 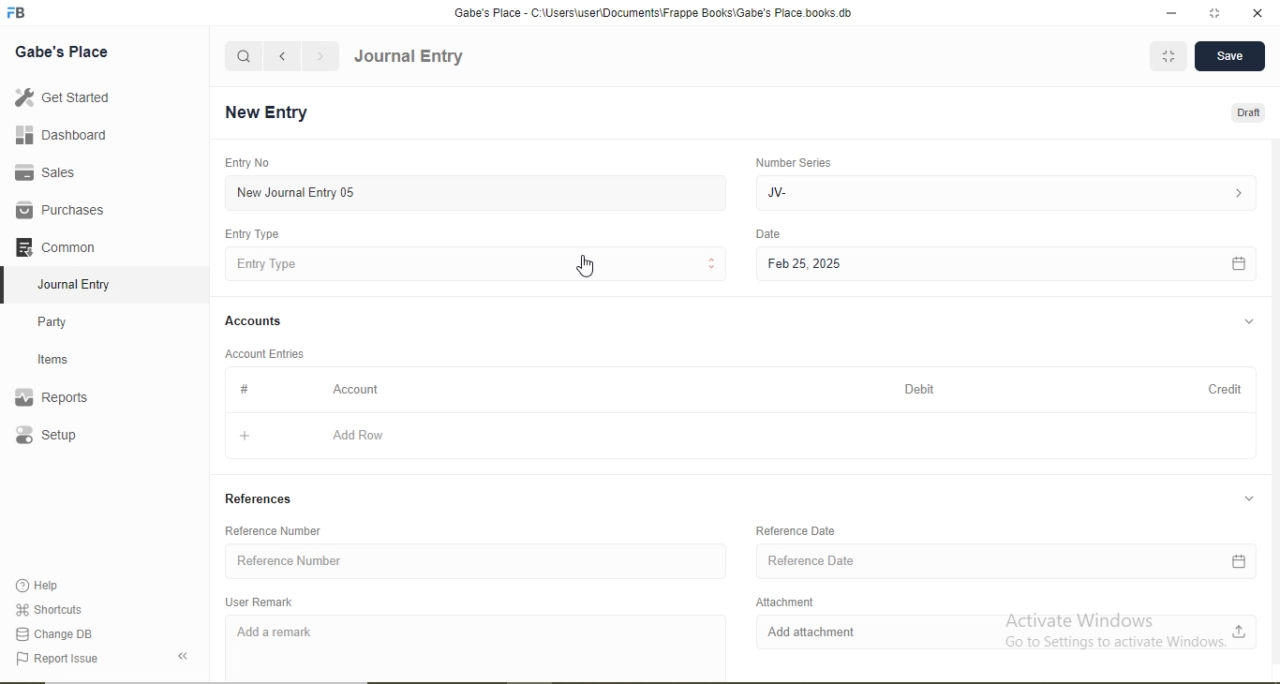 What do you see at coordinates (1249, 322) in the screenshot?
I see `collapse/expand` at bounding box center [1249, 322].